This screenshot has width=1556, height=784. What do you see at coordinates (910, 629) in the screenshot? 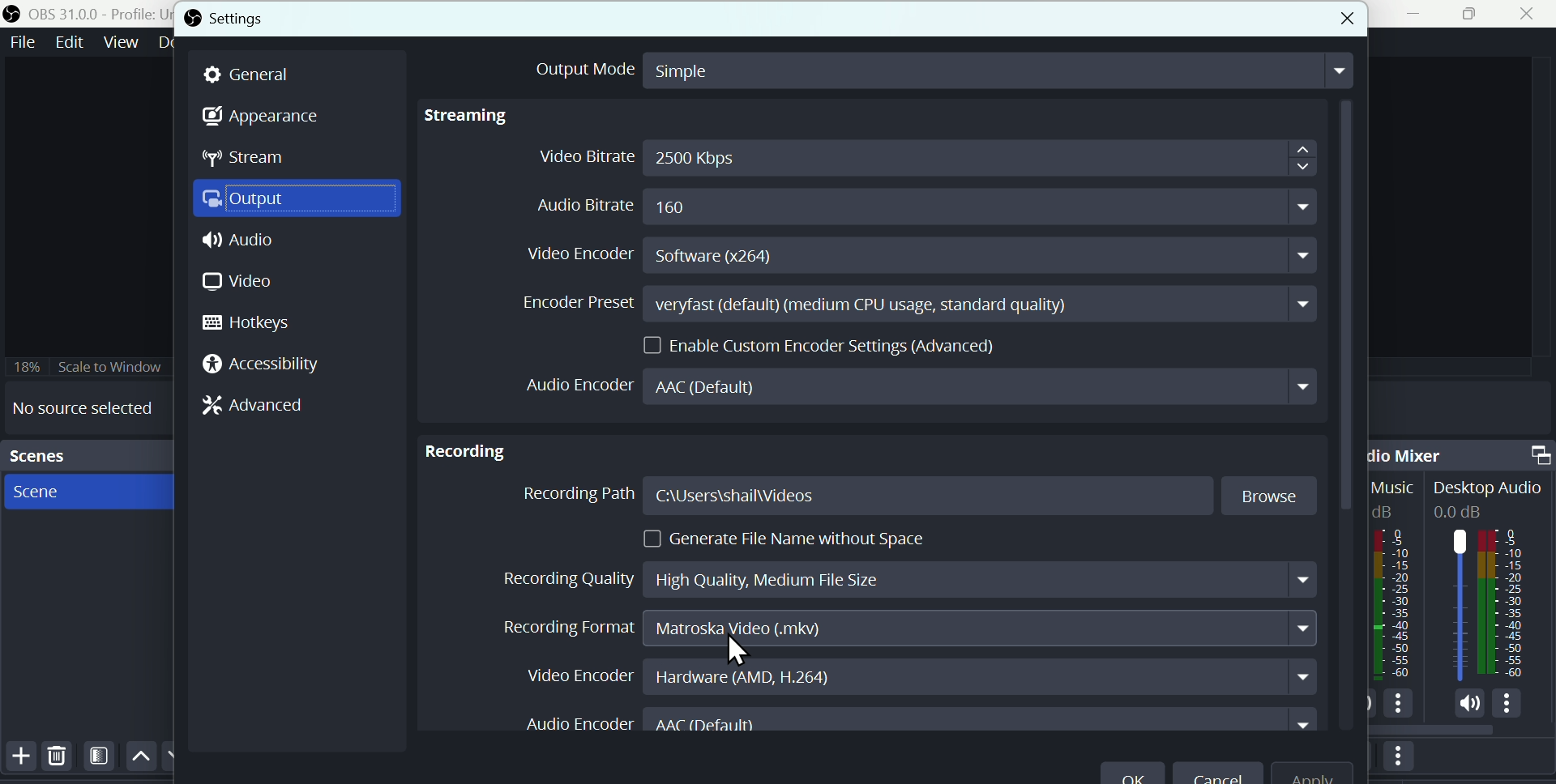
I see `Recording format` at bounding box center [910, 629].